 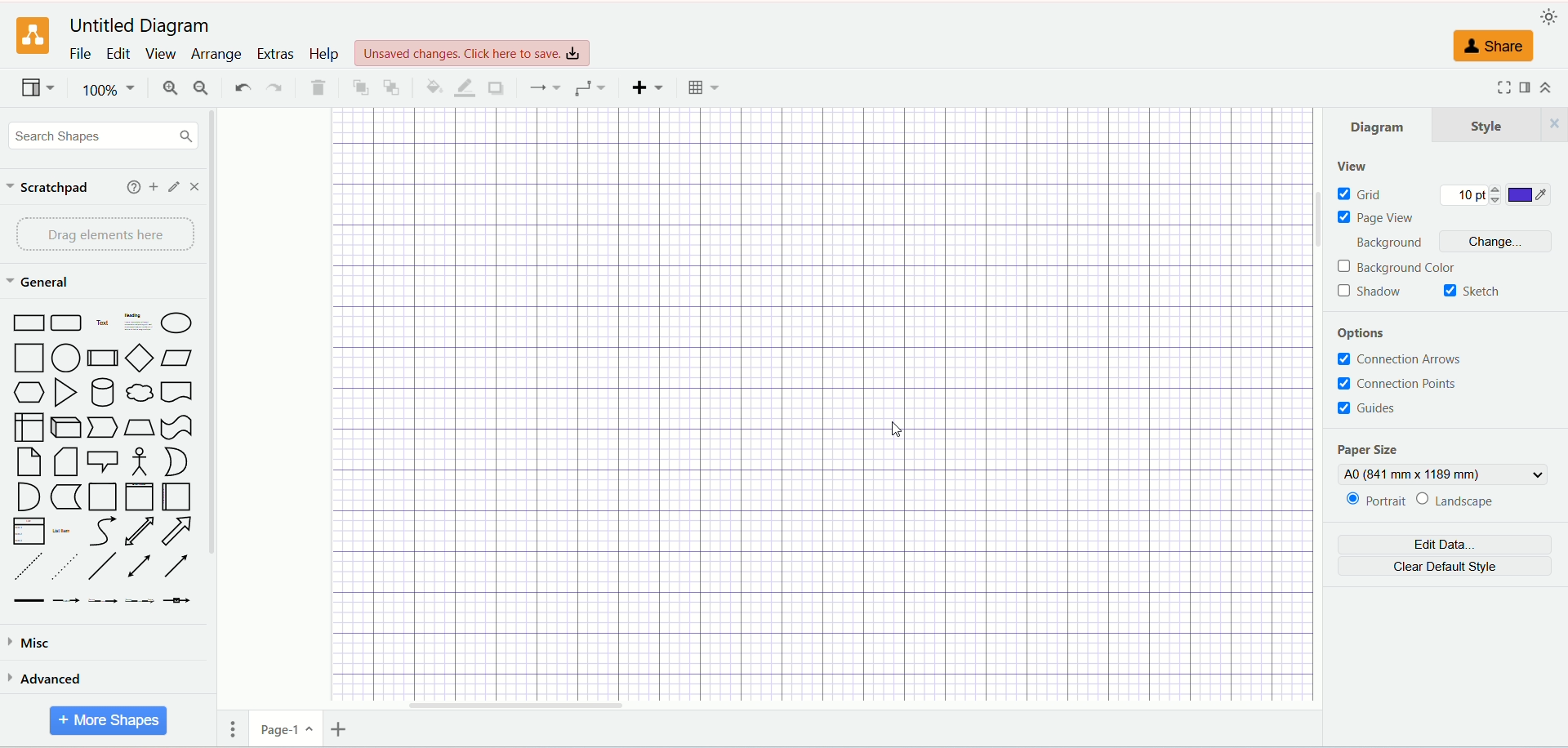 I want to click on Cylinder, so click(x=104, y=394).